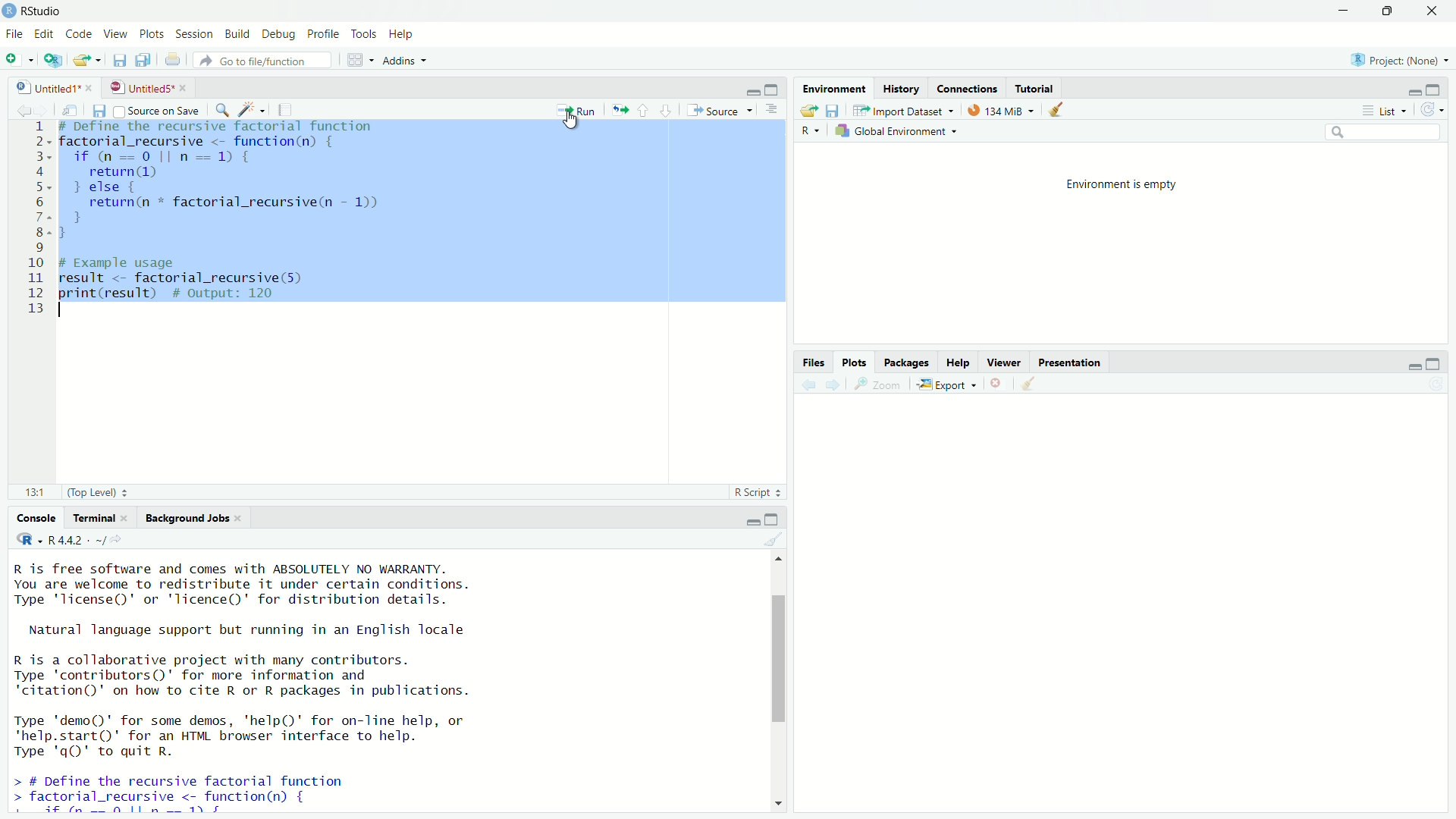  Describe the element at coordinates (619, 109) in the screenshot. I see `Re-run the previous code region (Ctrl + Alt + P)` at that location.